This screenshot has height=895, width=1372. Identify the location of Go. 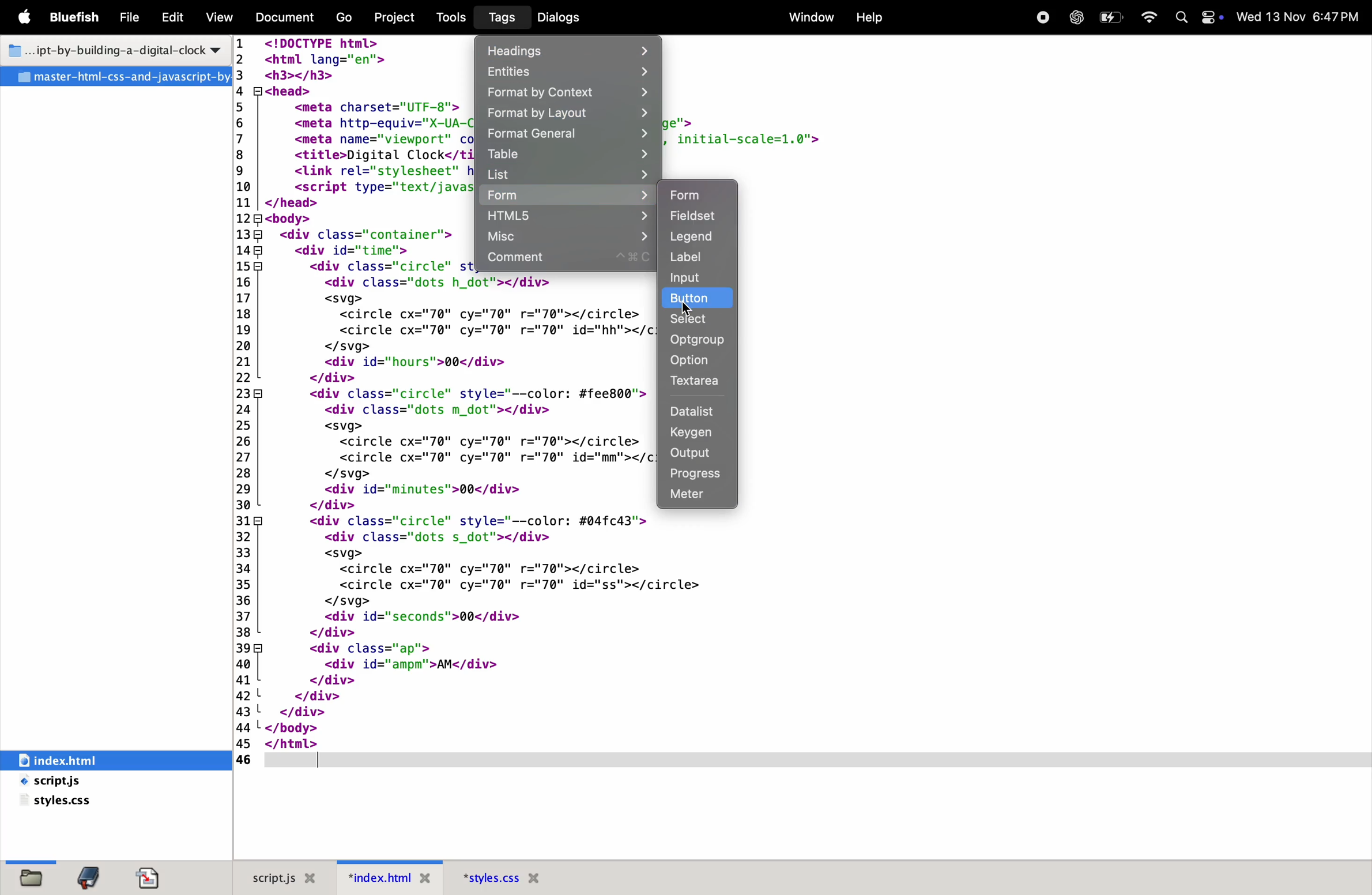
(342, 17).